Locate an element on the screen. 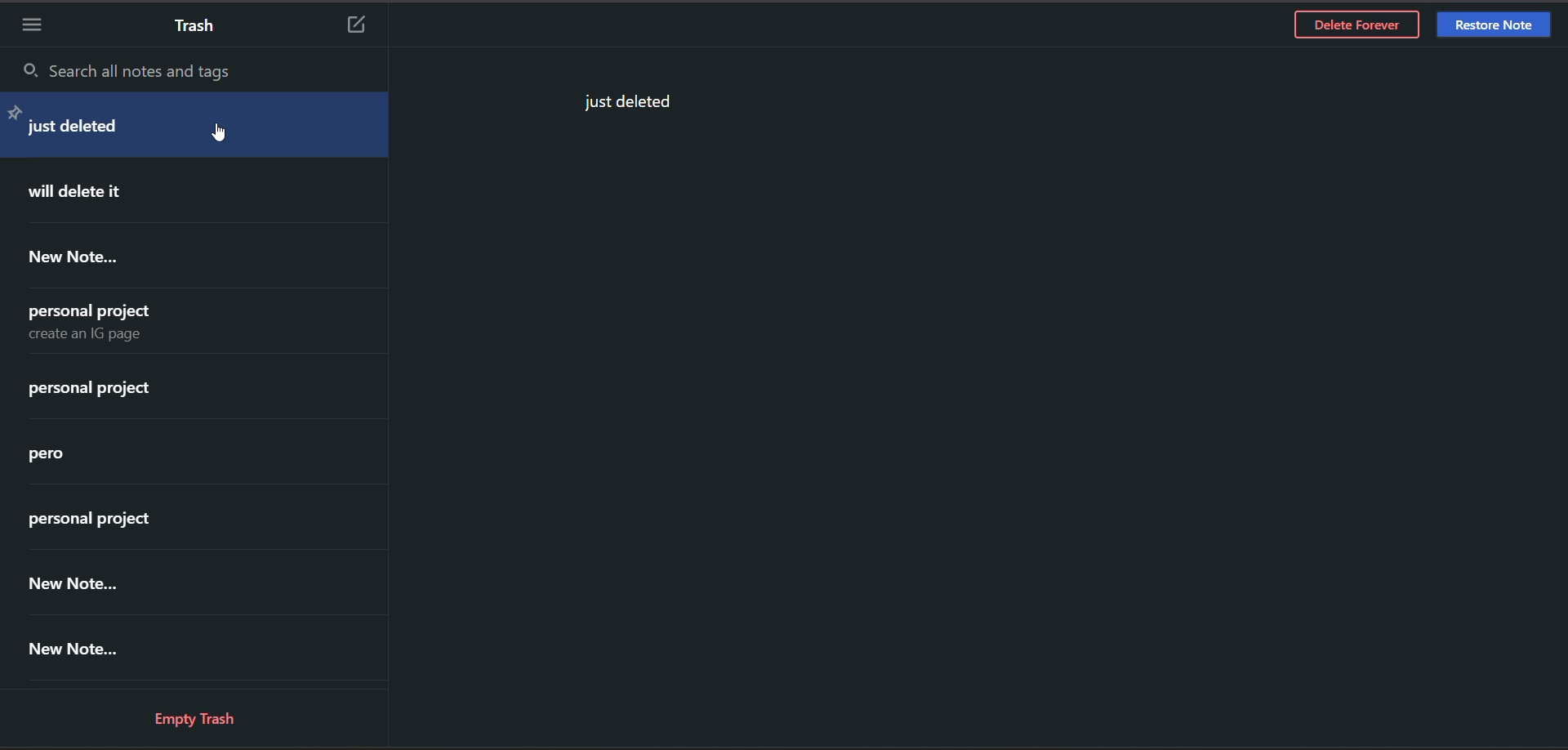  menu is located at coordinates (33, 22).